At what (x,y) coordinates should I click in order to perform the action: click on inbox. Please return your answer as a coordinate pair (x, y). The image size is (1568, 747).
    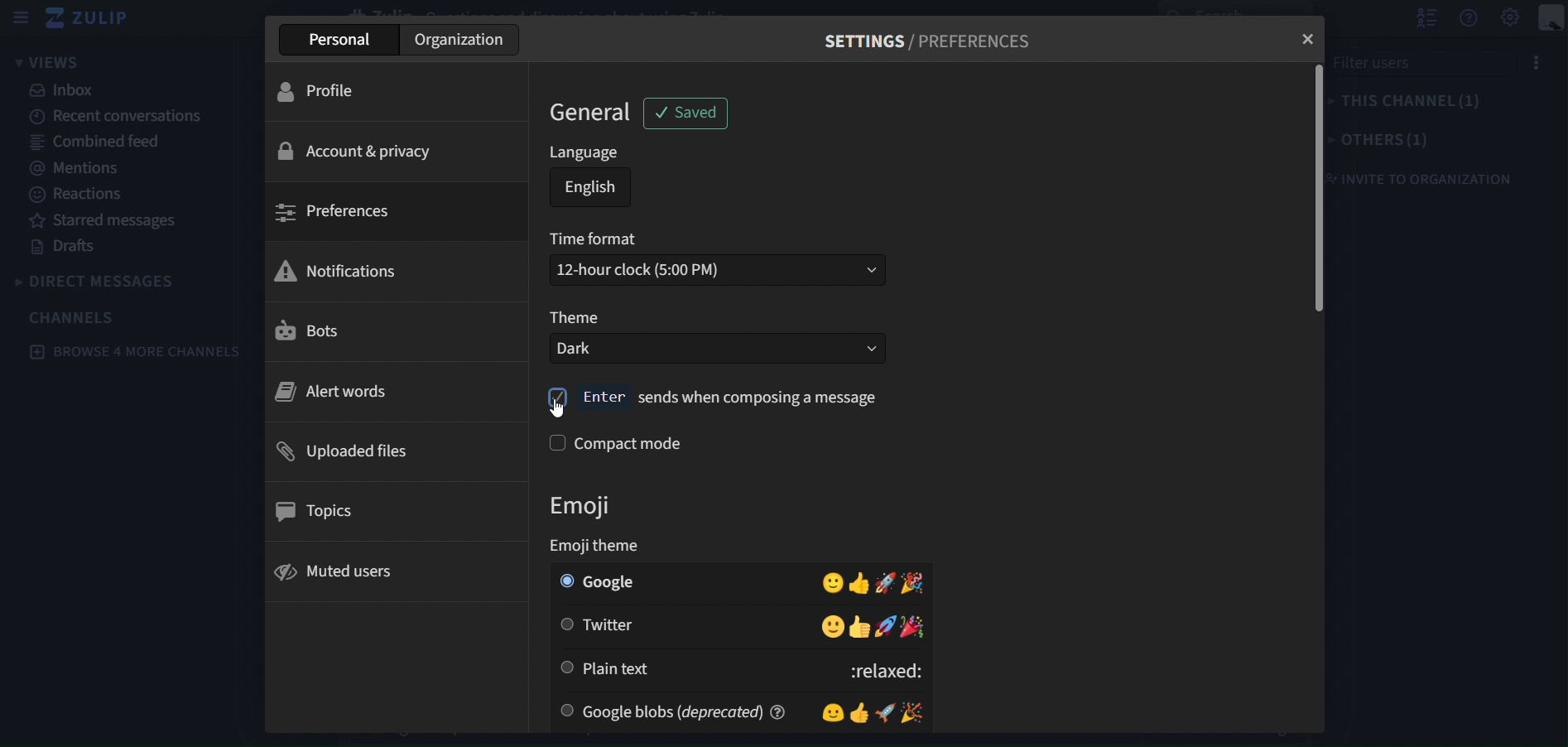
    Looking at the image, I should click on (69, 91).